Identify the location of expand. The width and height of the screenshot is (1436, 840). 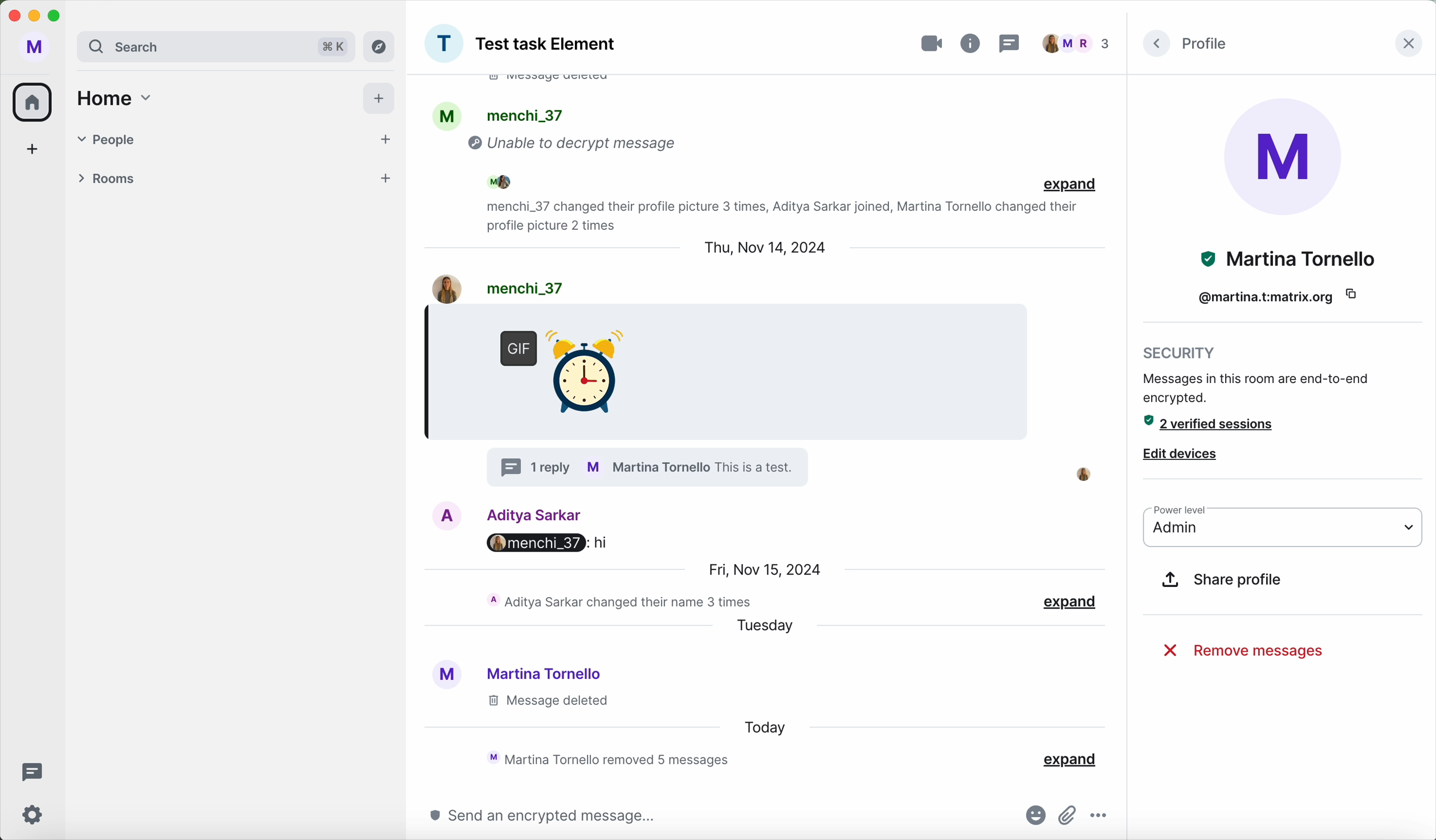
(1071, 602).